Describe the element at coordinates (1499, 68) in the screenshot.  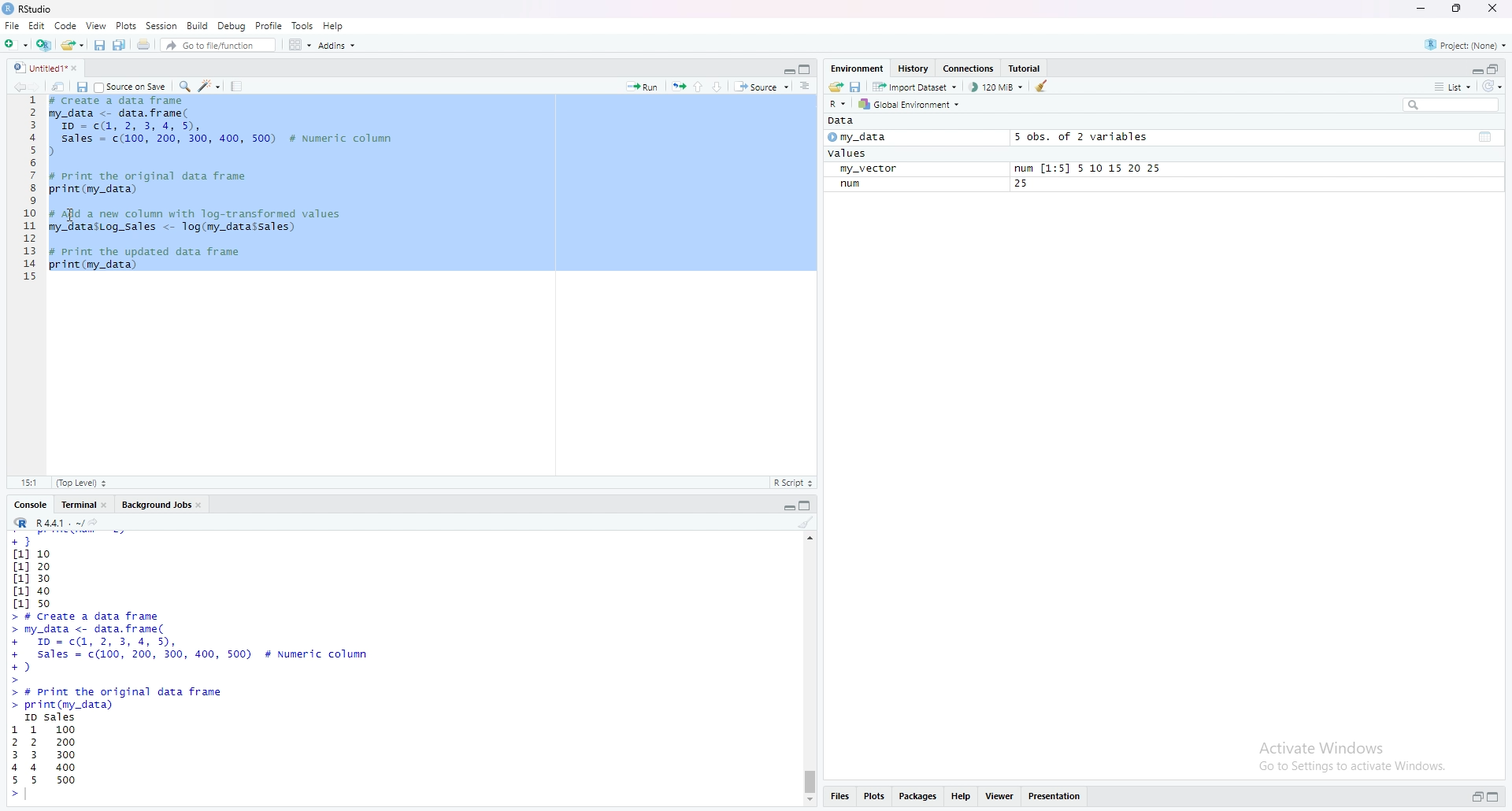
I see `maximize` at that location.